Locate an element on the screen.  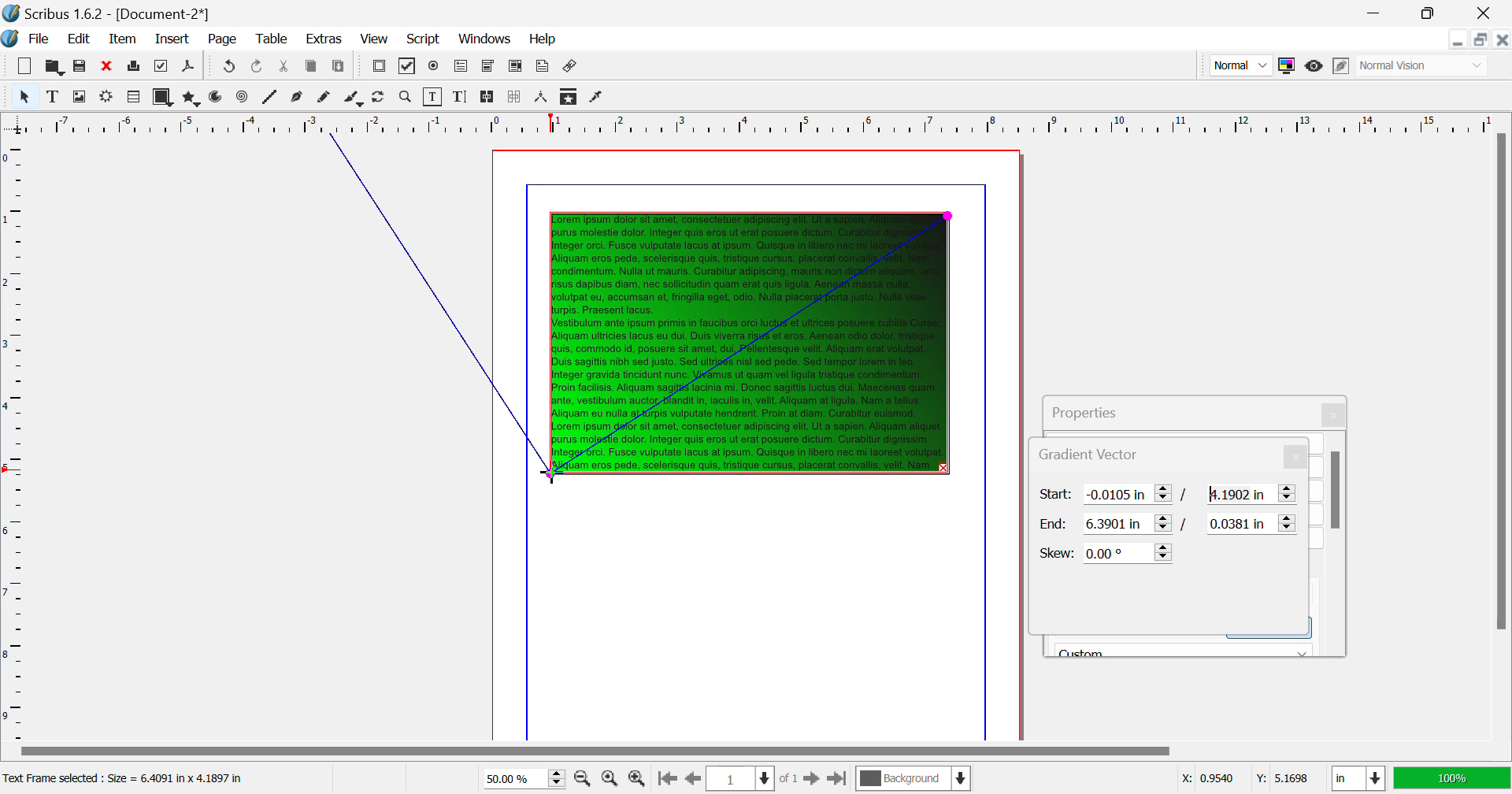
Gradient Applied is located at coordinates (753, 344).